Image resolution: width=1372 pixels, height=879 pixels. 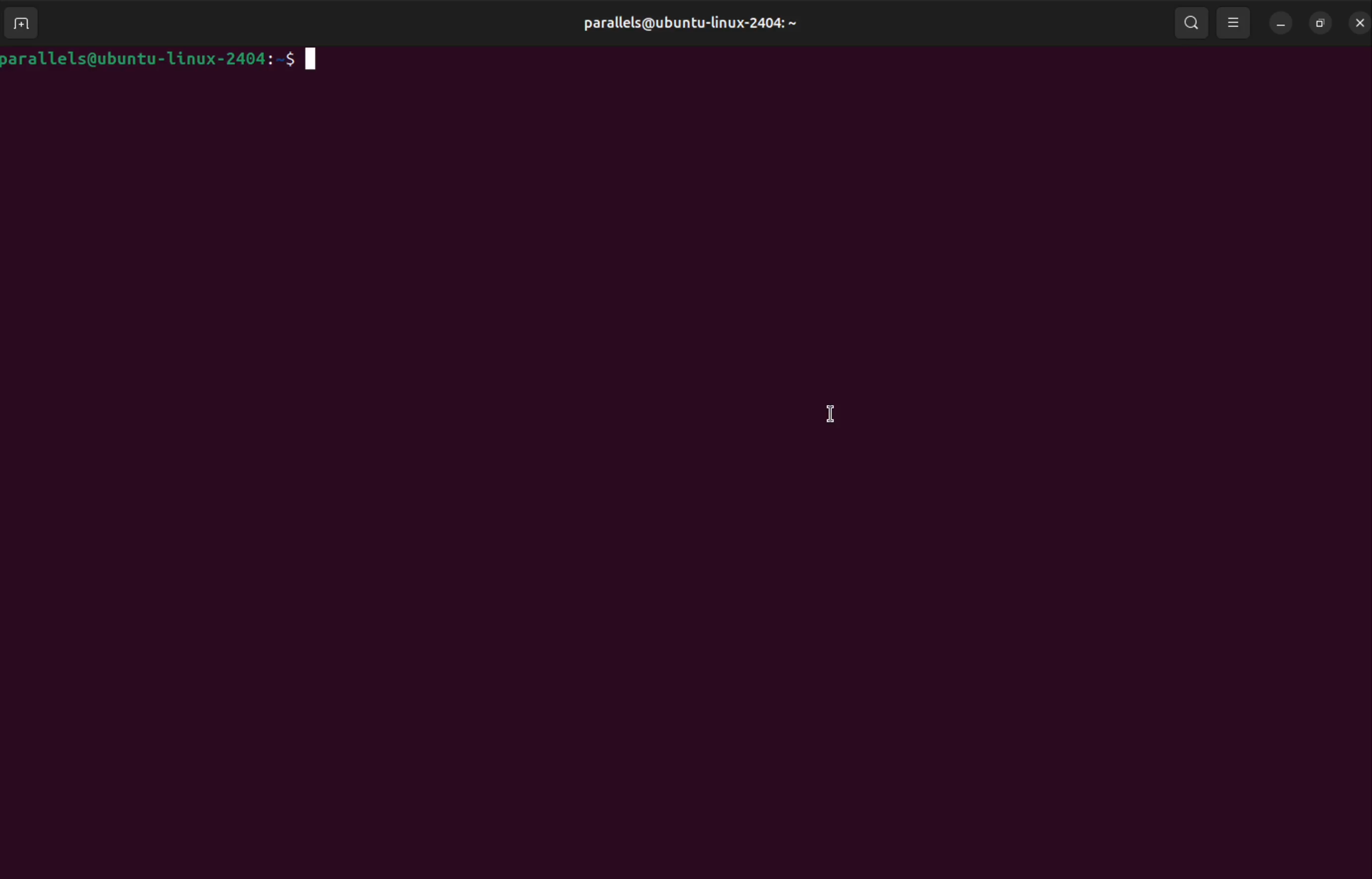 I want to click on cursor, so click(x=836, y=413).